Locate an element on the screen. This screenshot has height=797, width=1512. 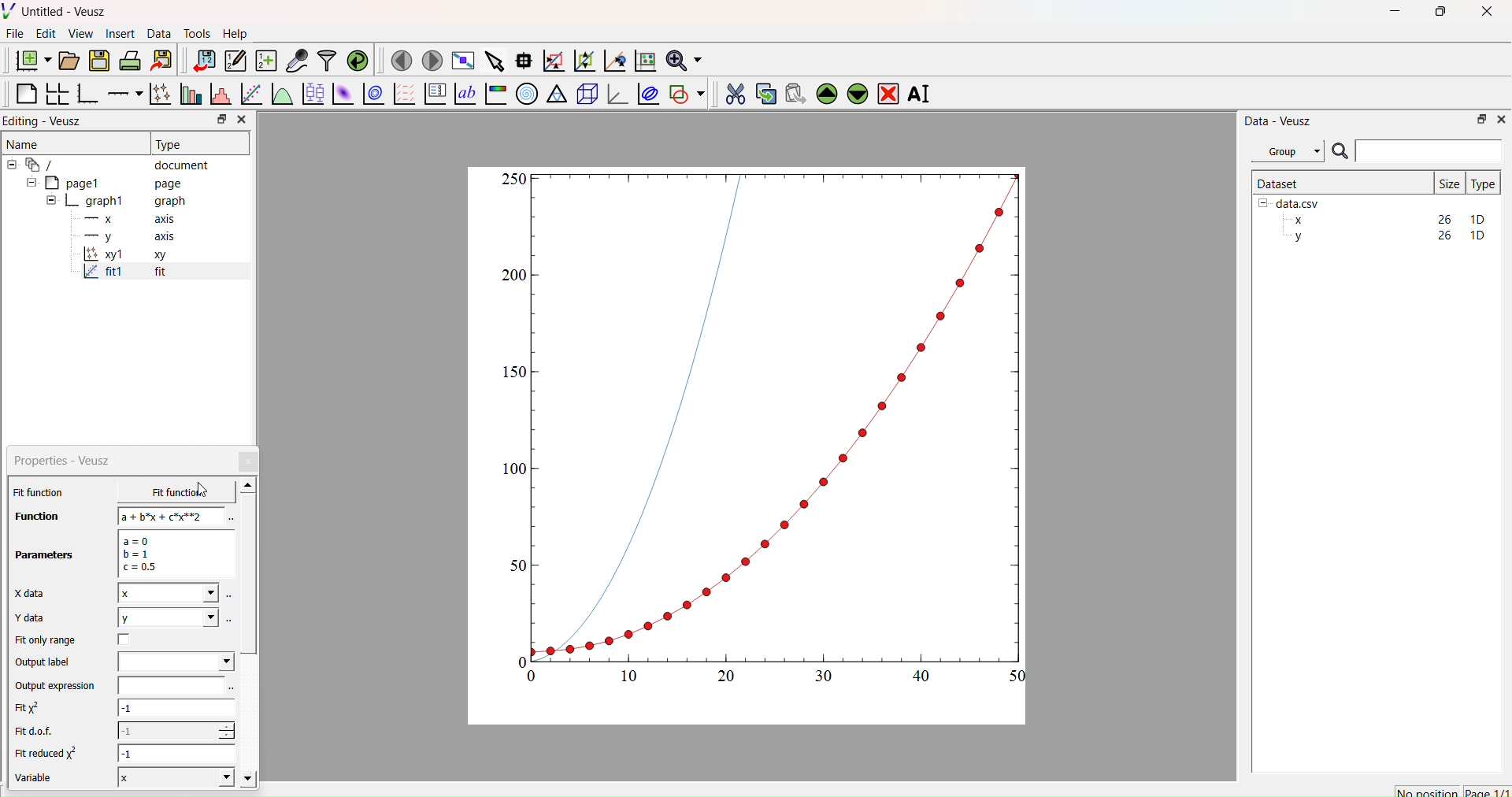
Edit or enter new dataset is located at coordinates (233, 61).